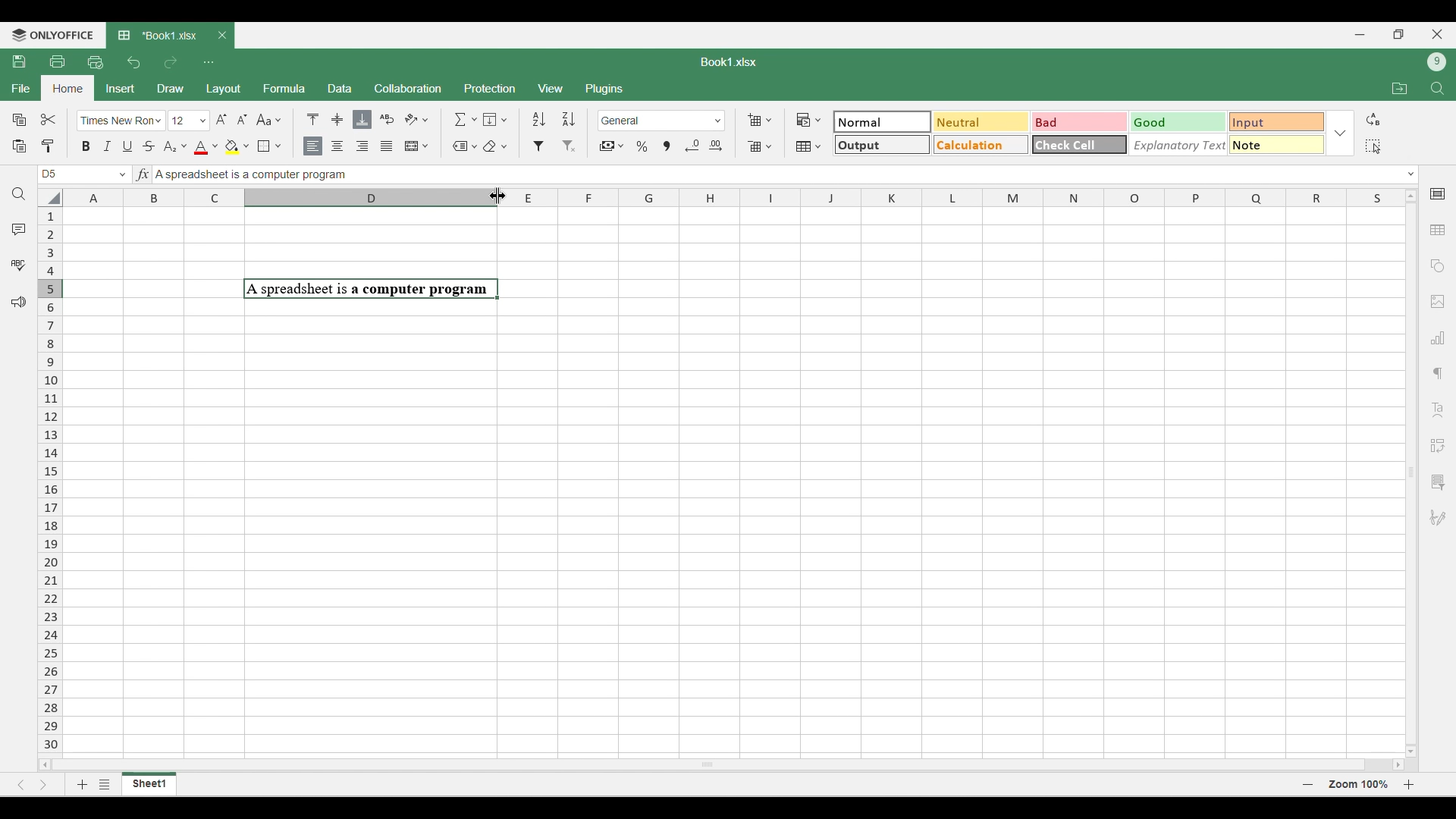 The image size is (1456, 819). I want to click on Book1.xlsx, so click(729, 62).